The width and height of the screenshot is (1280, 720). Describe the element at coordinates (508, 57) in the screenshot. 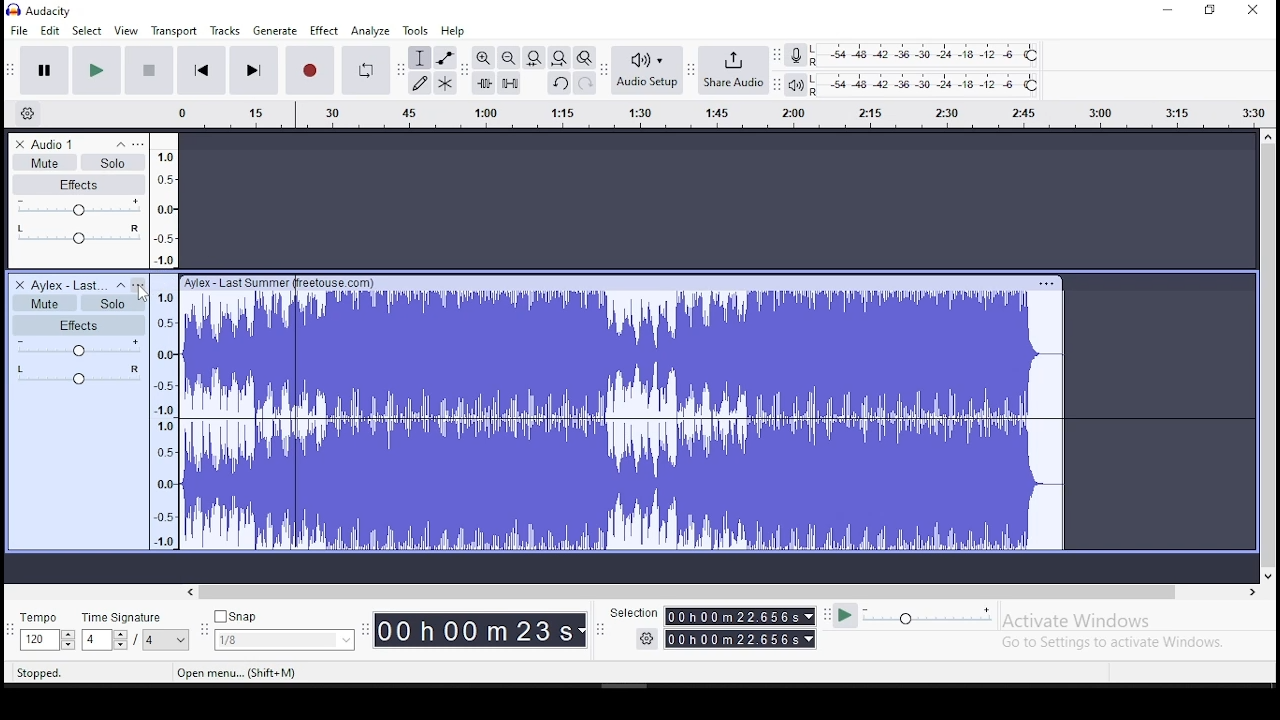

I see `zoom out` at that location.